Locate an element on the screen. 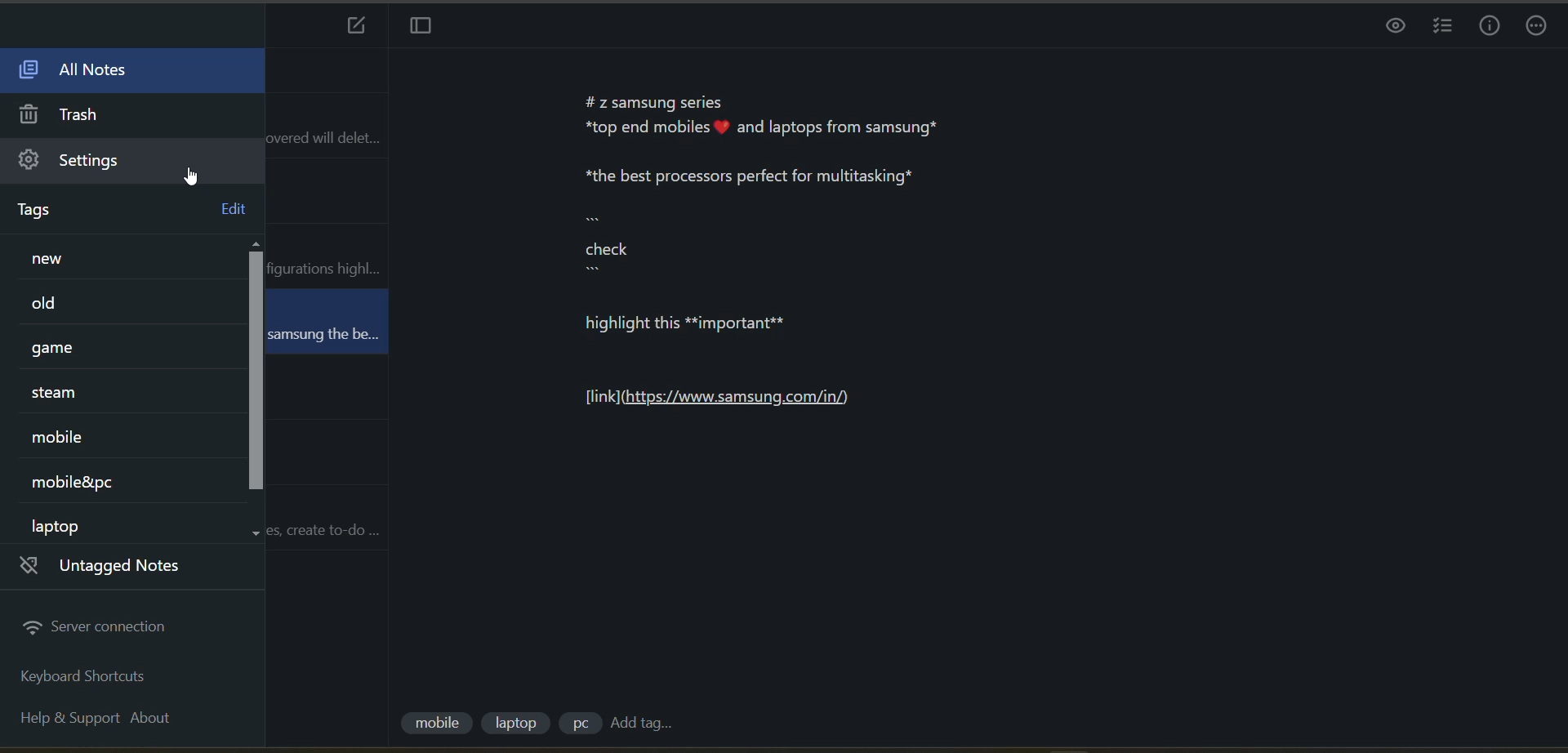 The image size is (1568, 753). tag 3 is located at coordinates (577, 726).